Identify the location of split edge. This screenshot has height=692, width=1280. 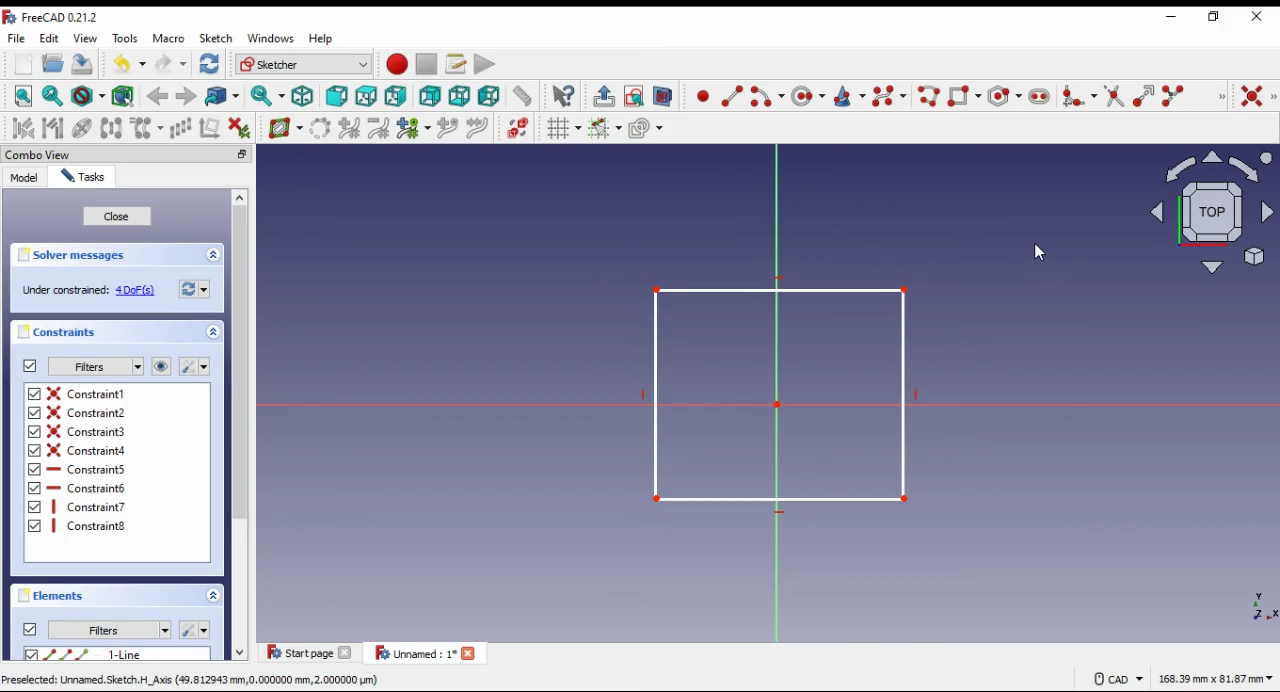
(1174, 94).